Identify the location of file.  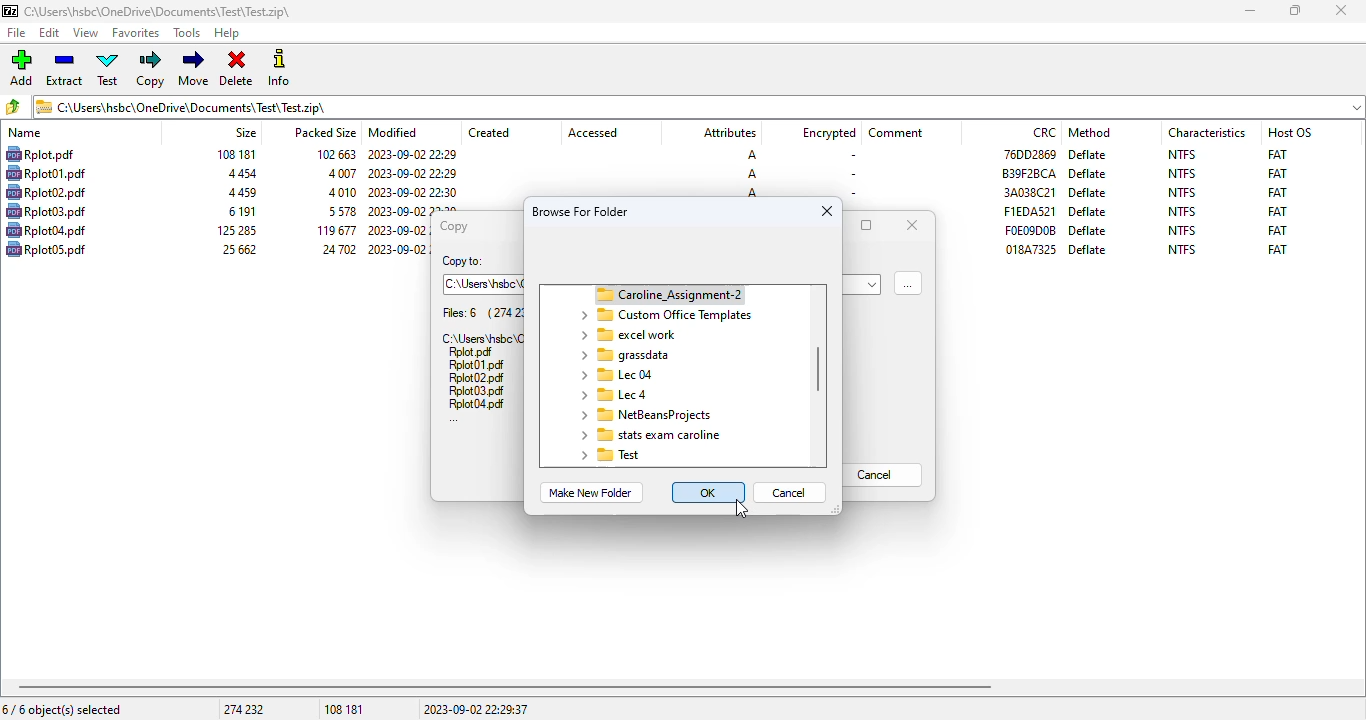
(46, 248).